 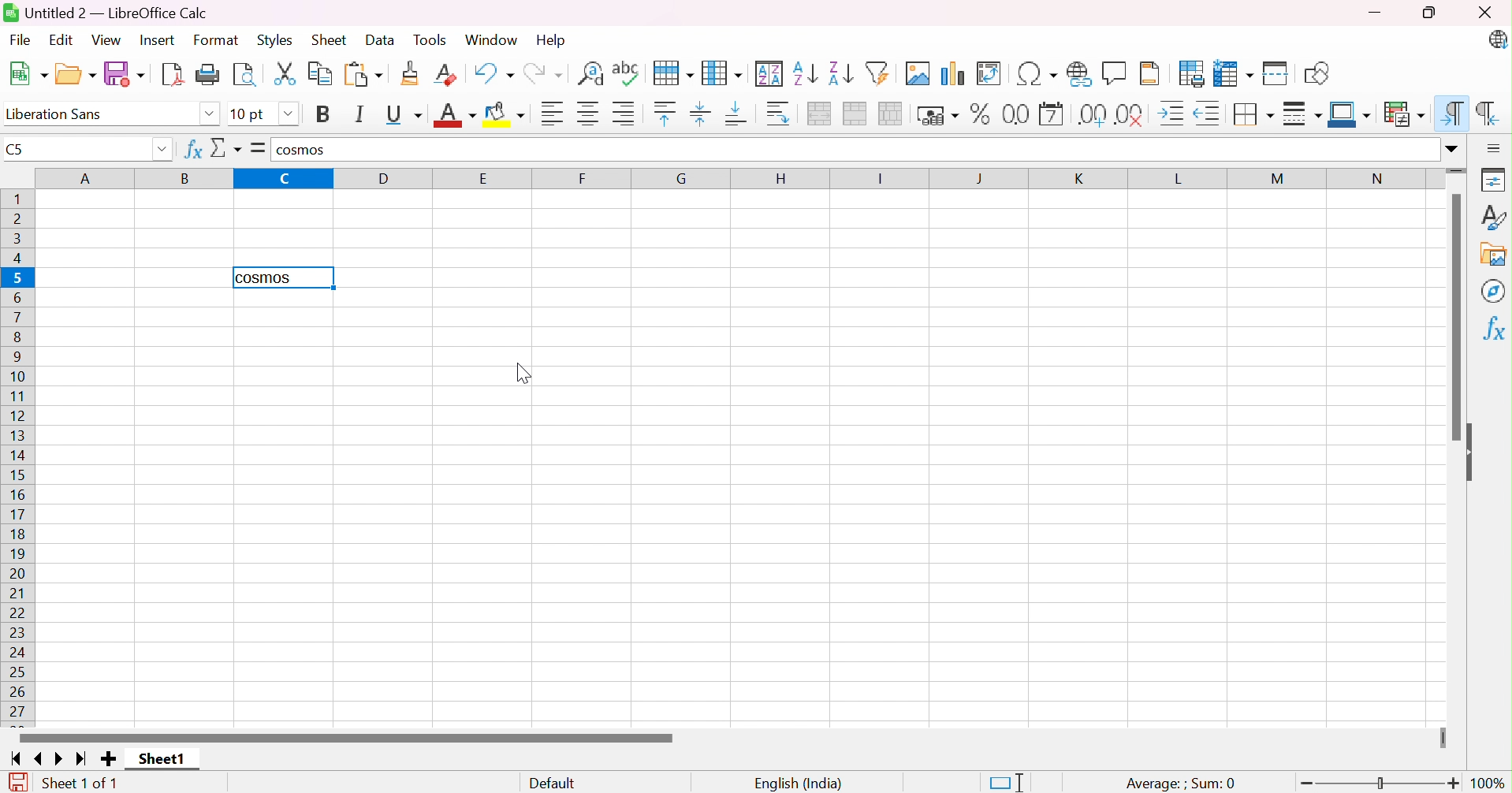 I want to click on Clear Direct Formatting, so click(x=446, y=74).